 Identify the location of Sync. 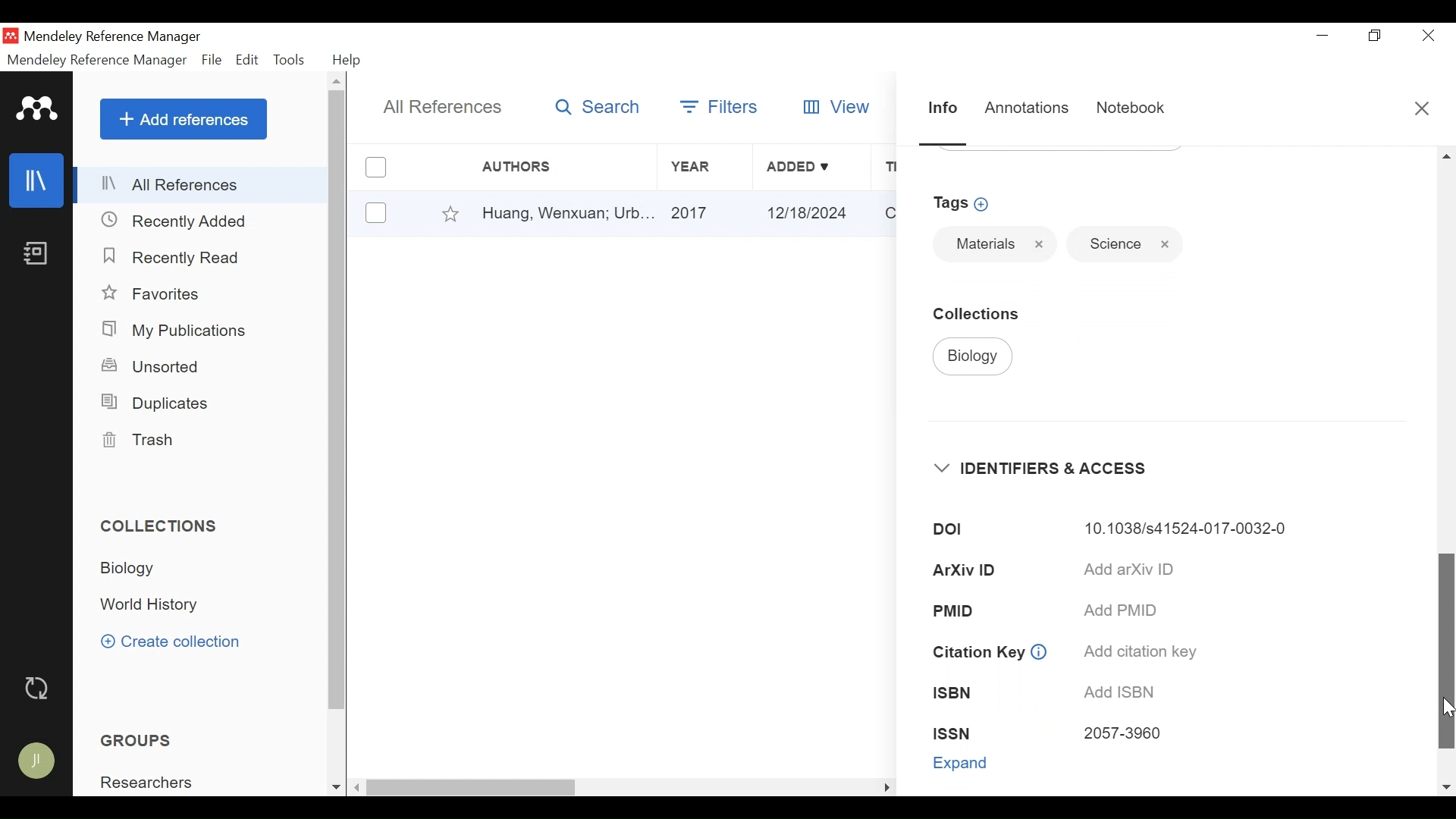
(39, 689).